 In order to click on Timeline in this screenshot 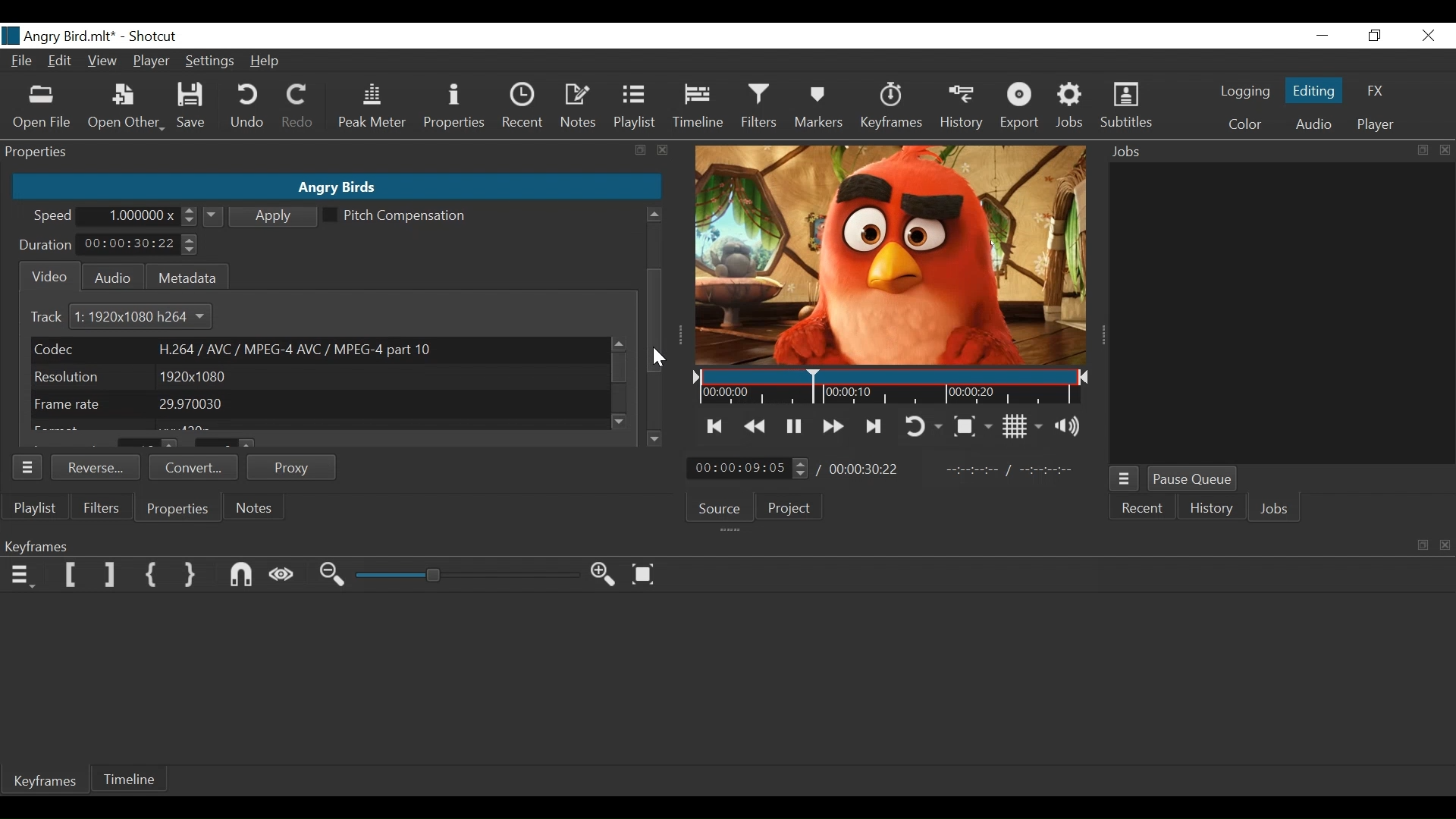, I will do `click(697, 109)`.